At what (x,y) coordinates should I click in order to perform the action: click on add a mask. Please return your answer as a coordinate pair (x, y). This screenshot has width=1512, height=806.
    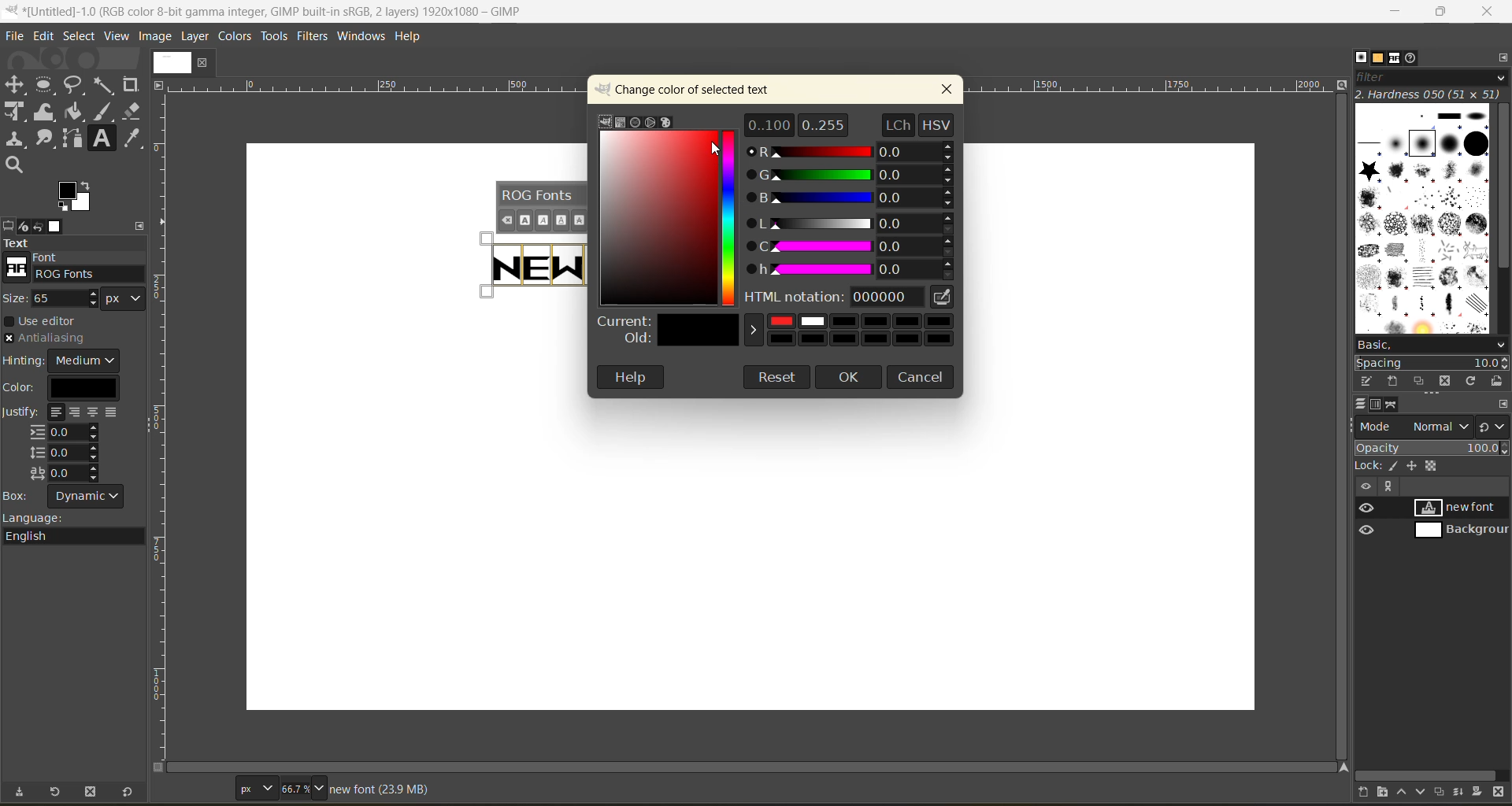
    Looking at the image, I should click on (1479, 790).